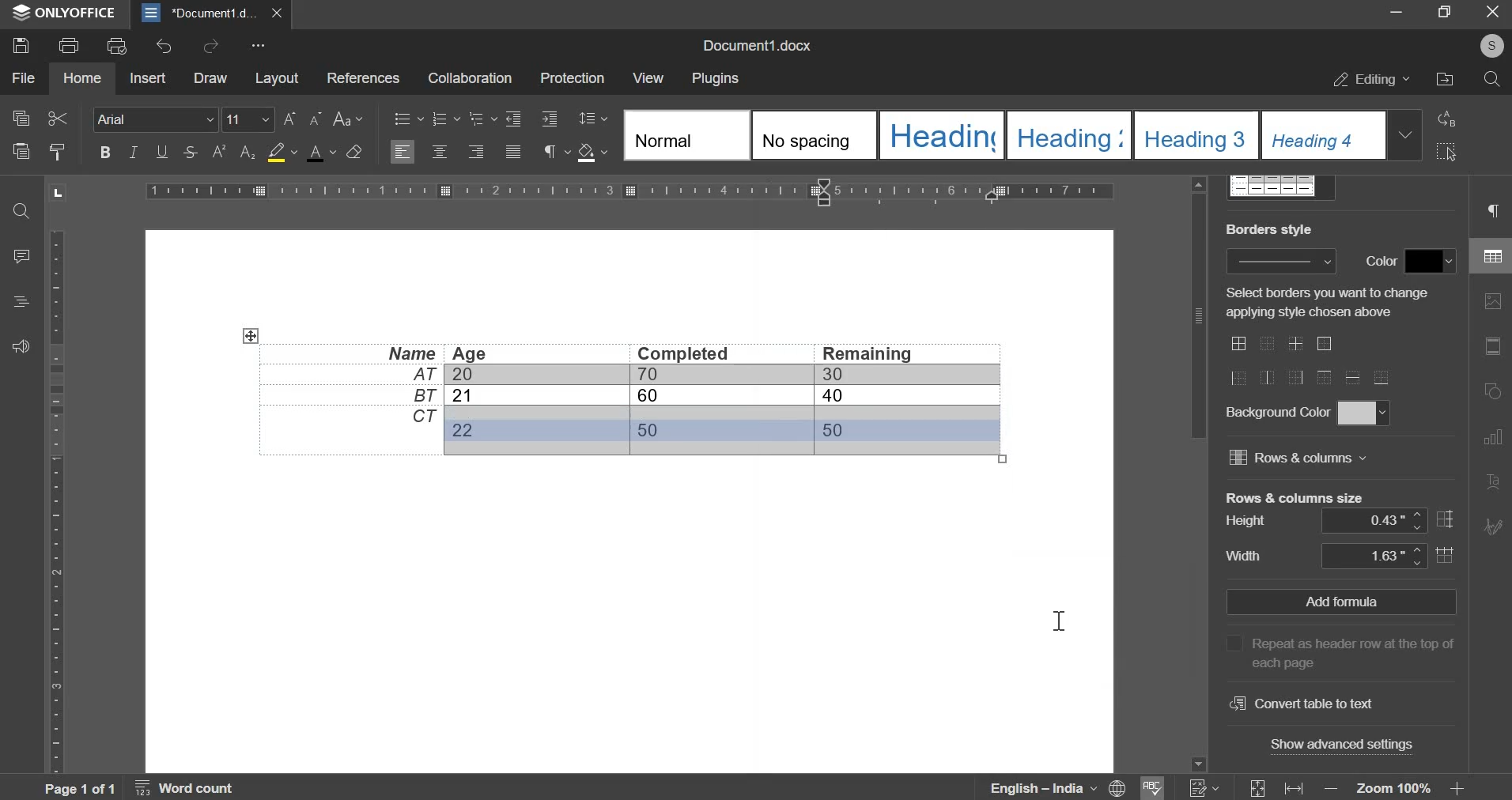  I want to click on plugins, so click(713, 79).